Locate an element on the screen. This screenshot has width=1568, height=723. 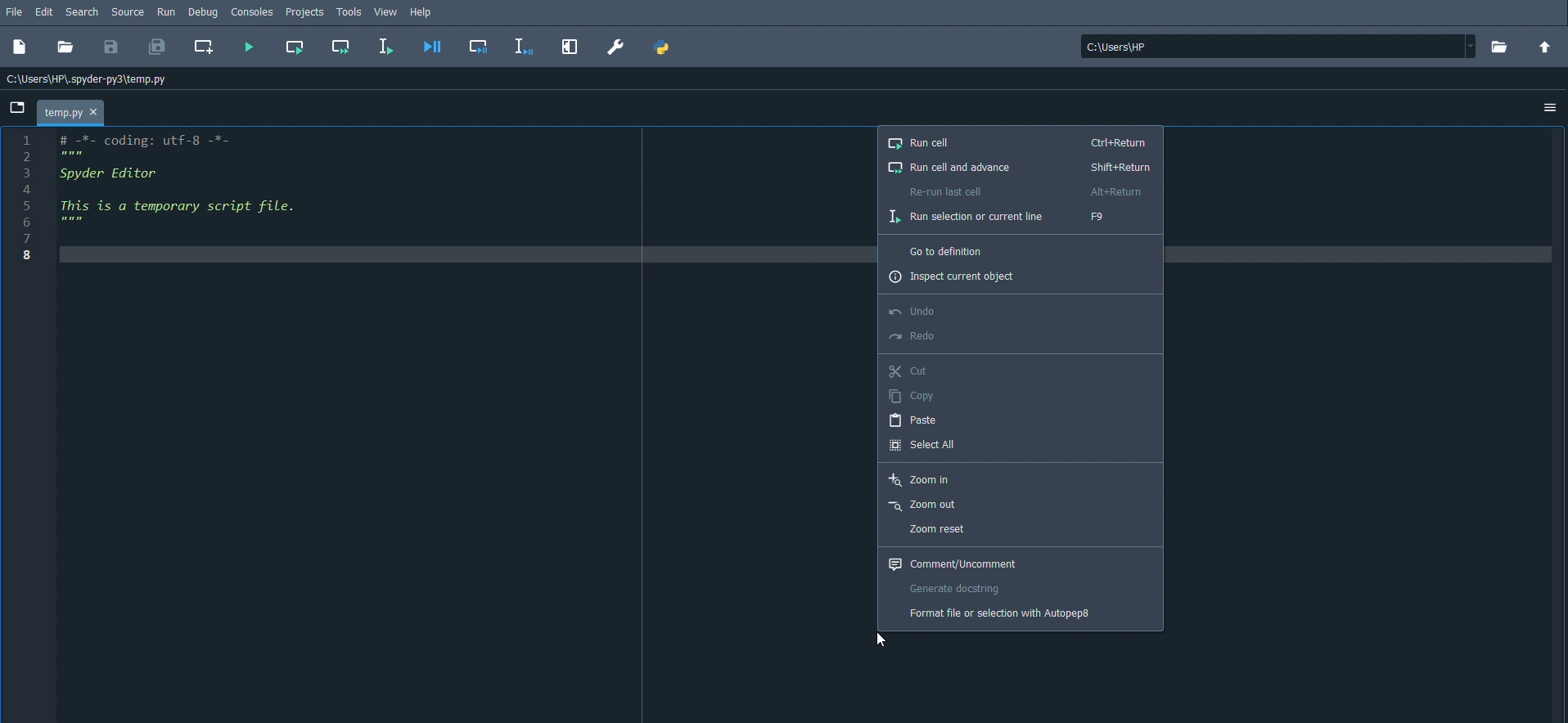
Save file is located at coordinates (111, 47).